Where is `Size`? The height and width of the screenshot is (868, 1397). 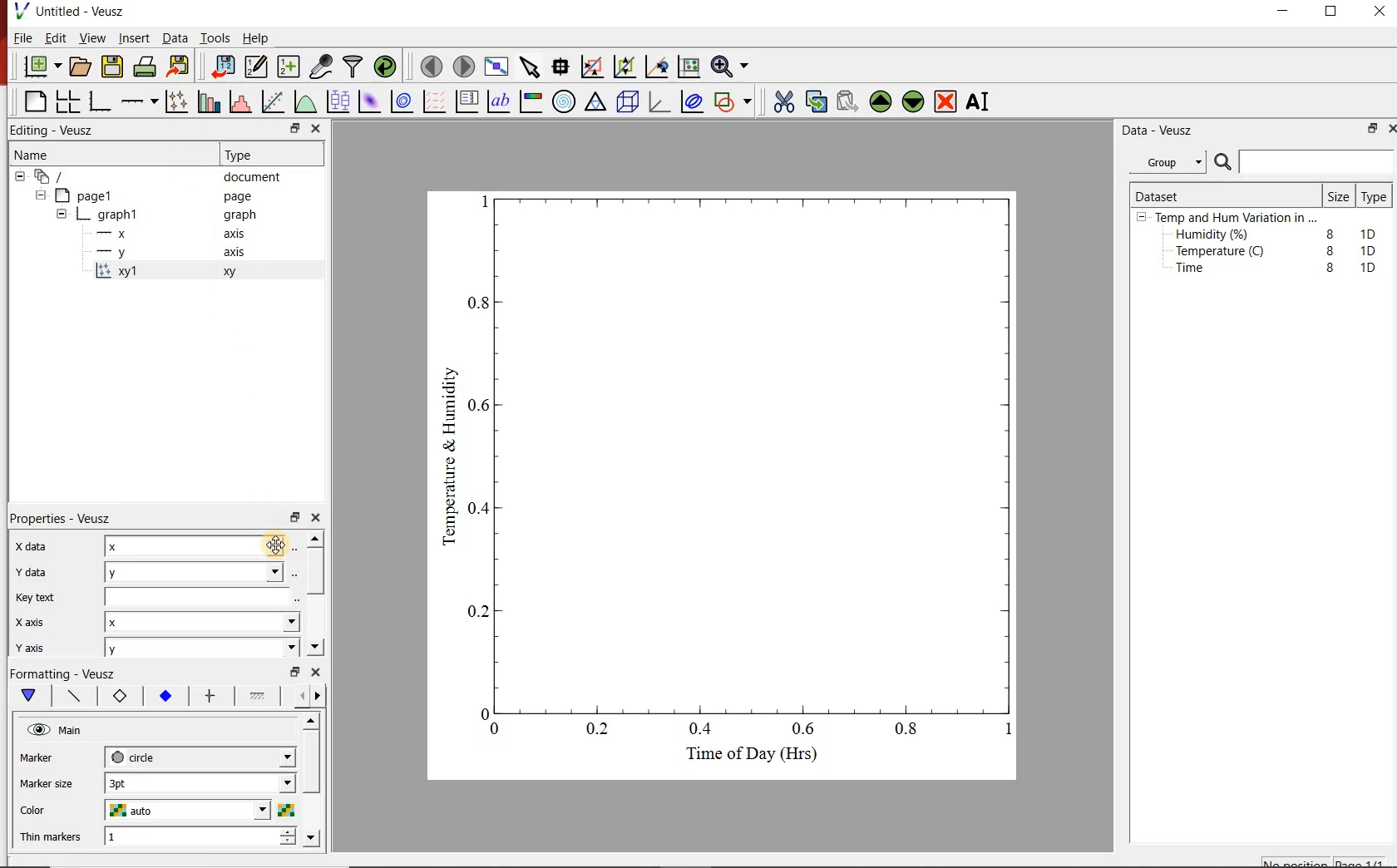 Size is located at coordinates (1337, 195).